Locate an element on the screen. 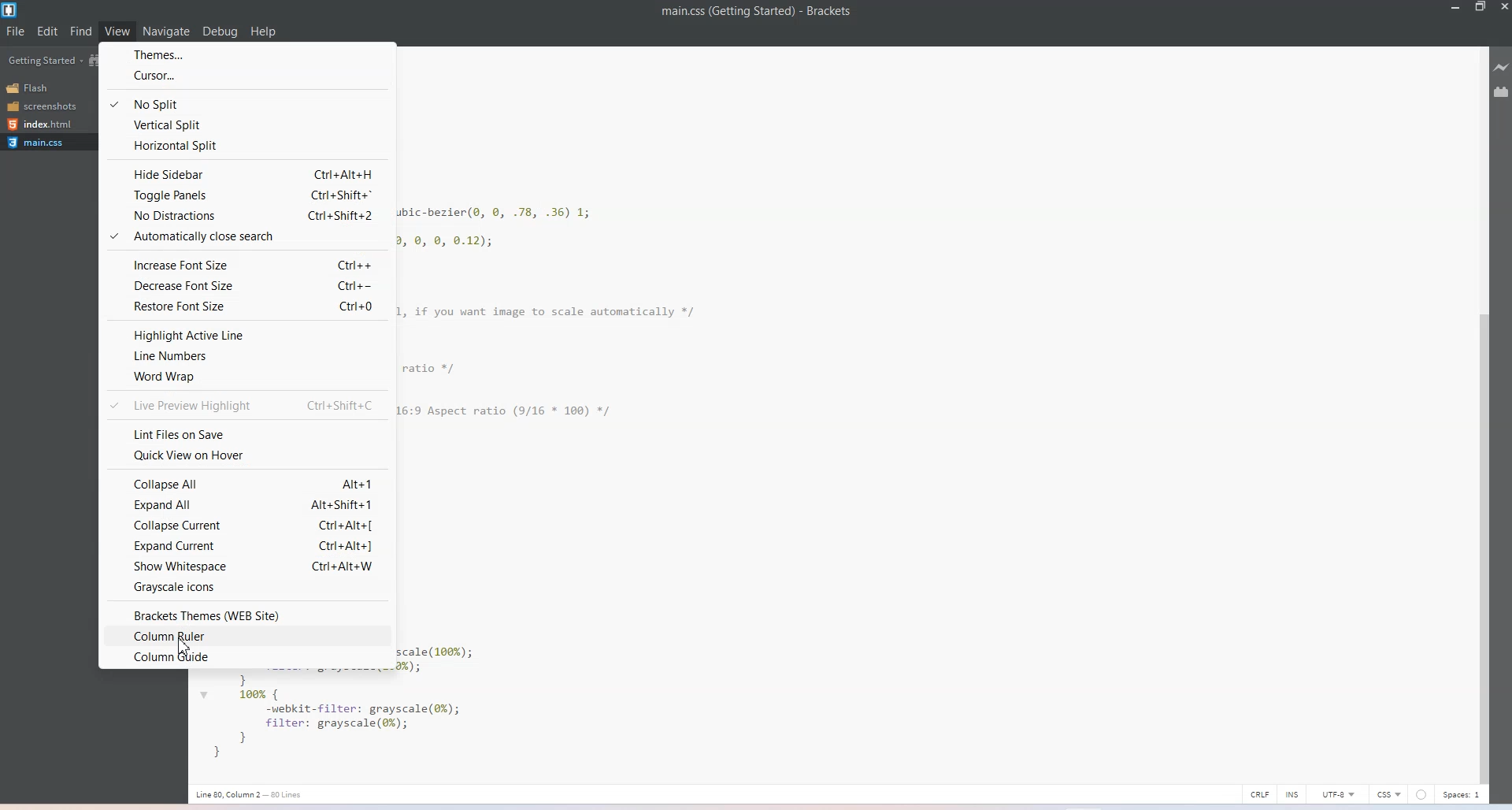  INS is located at coordinates (1294, 793).